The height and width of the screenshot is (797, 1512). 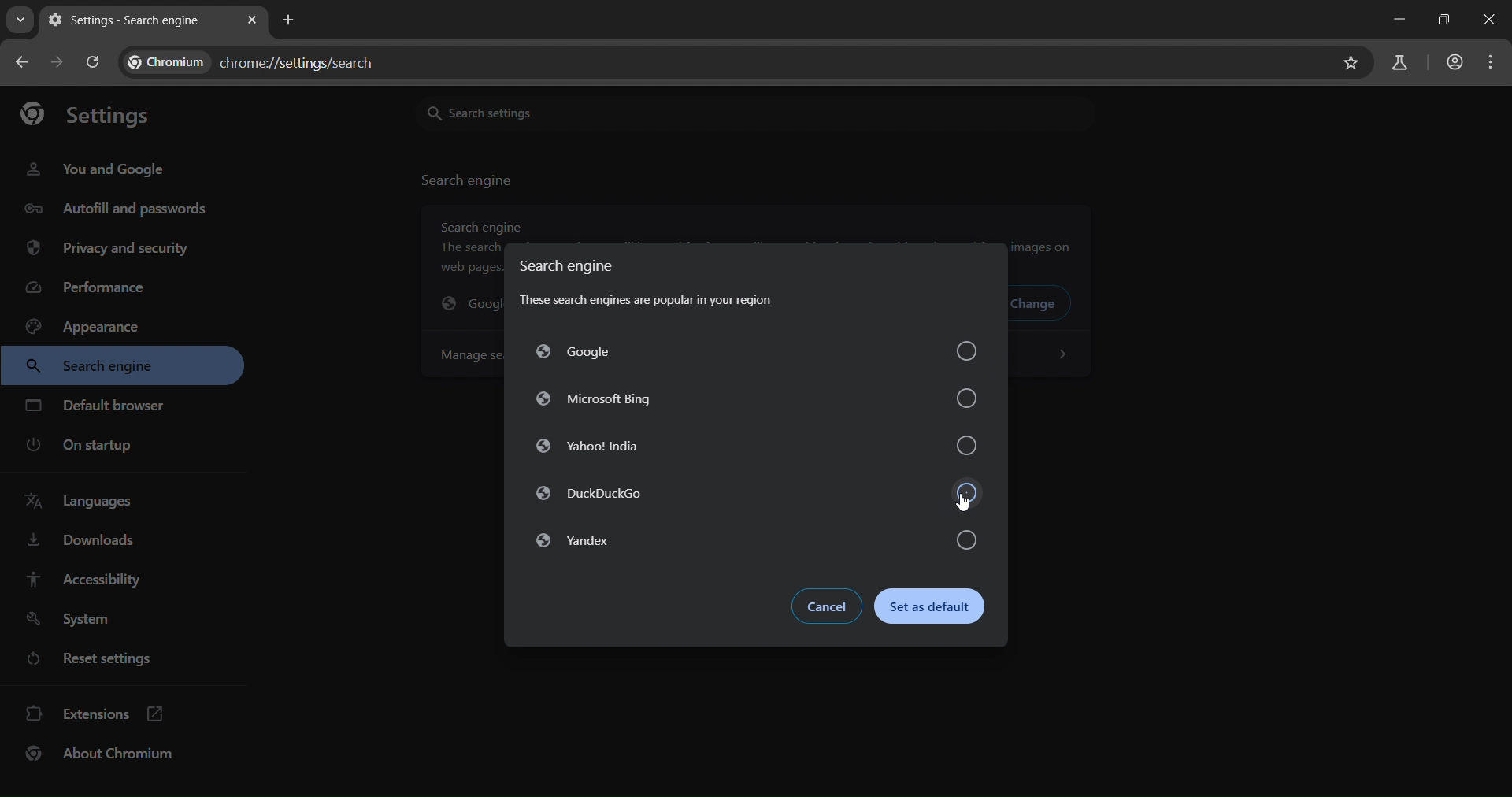 I want to click on apppearance, so click(x=94, y=325).